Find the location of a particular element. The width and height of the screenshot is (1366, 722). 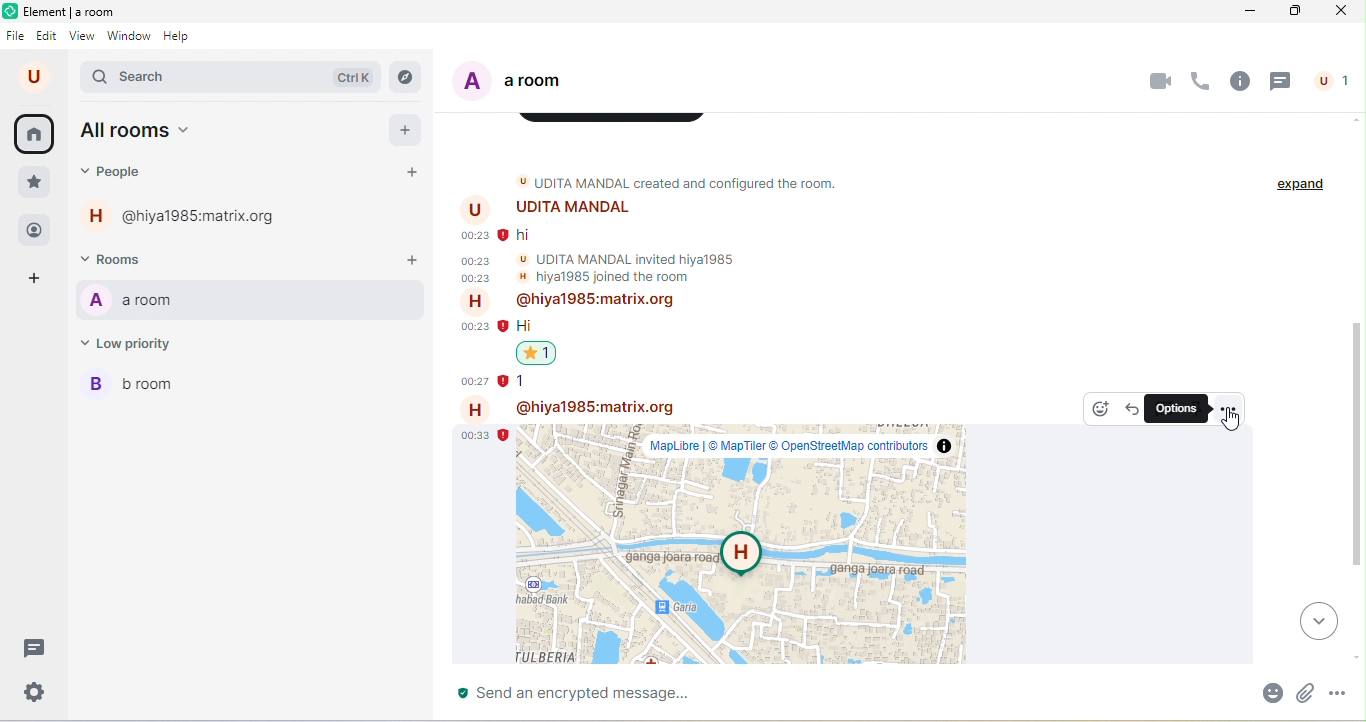

explore rooms is located at coordinates (406, 76).